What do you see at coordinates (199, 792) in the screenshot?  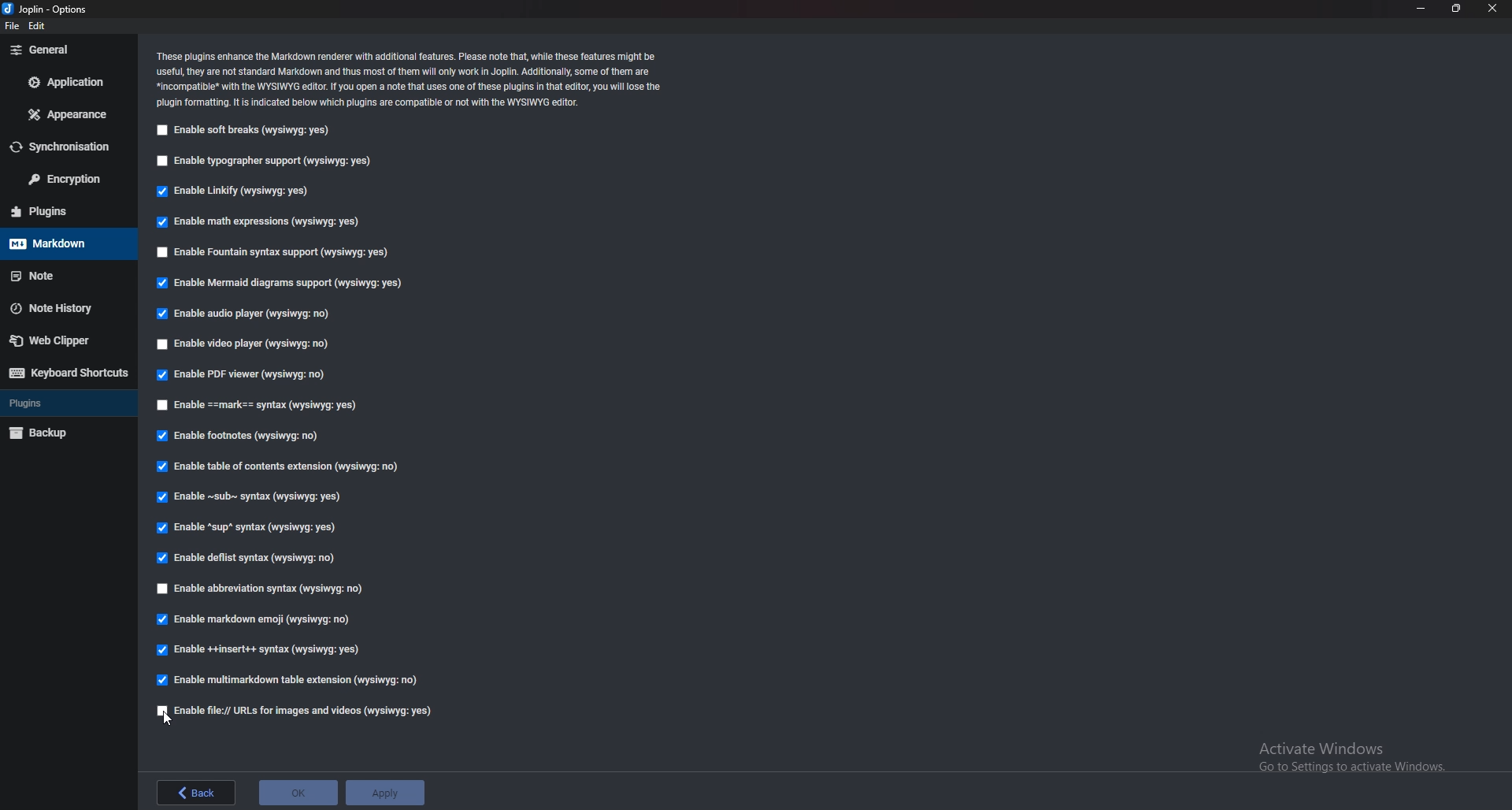 I see `back` at bounding box center [199, 792].